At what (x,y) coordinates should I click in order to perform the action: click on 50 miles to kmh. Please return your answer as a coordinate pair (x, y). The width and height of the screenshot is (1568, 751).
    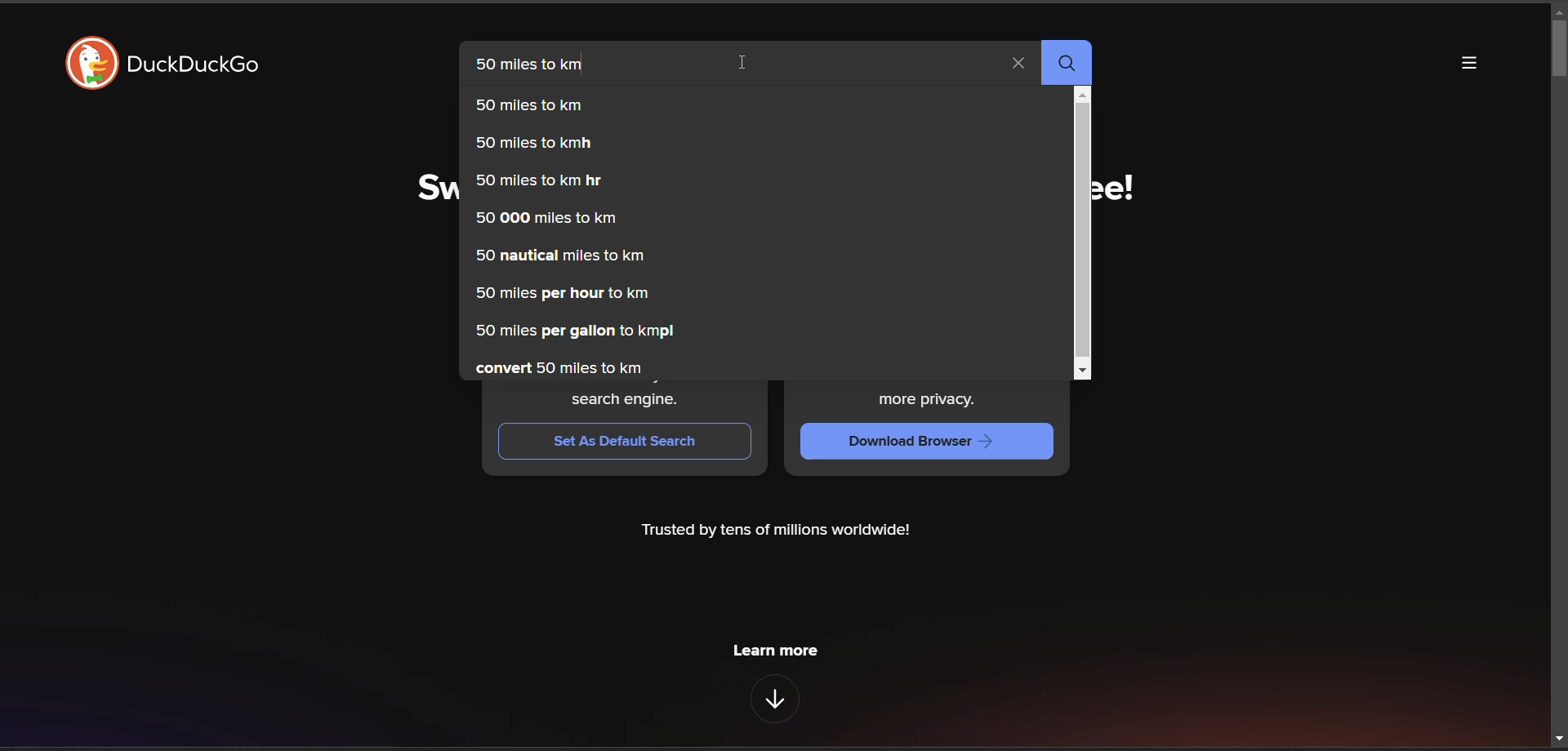
    Looking at the image, I should click on (535, 145).